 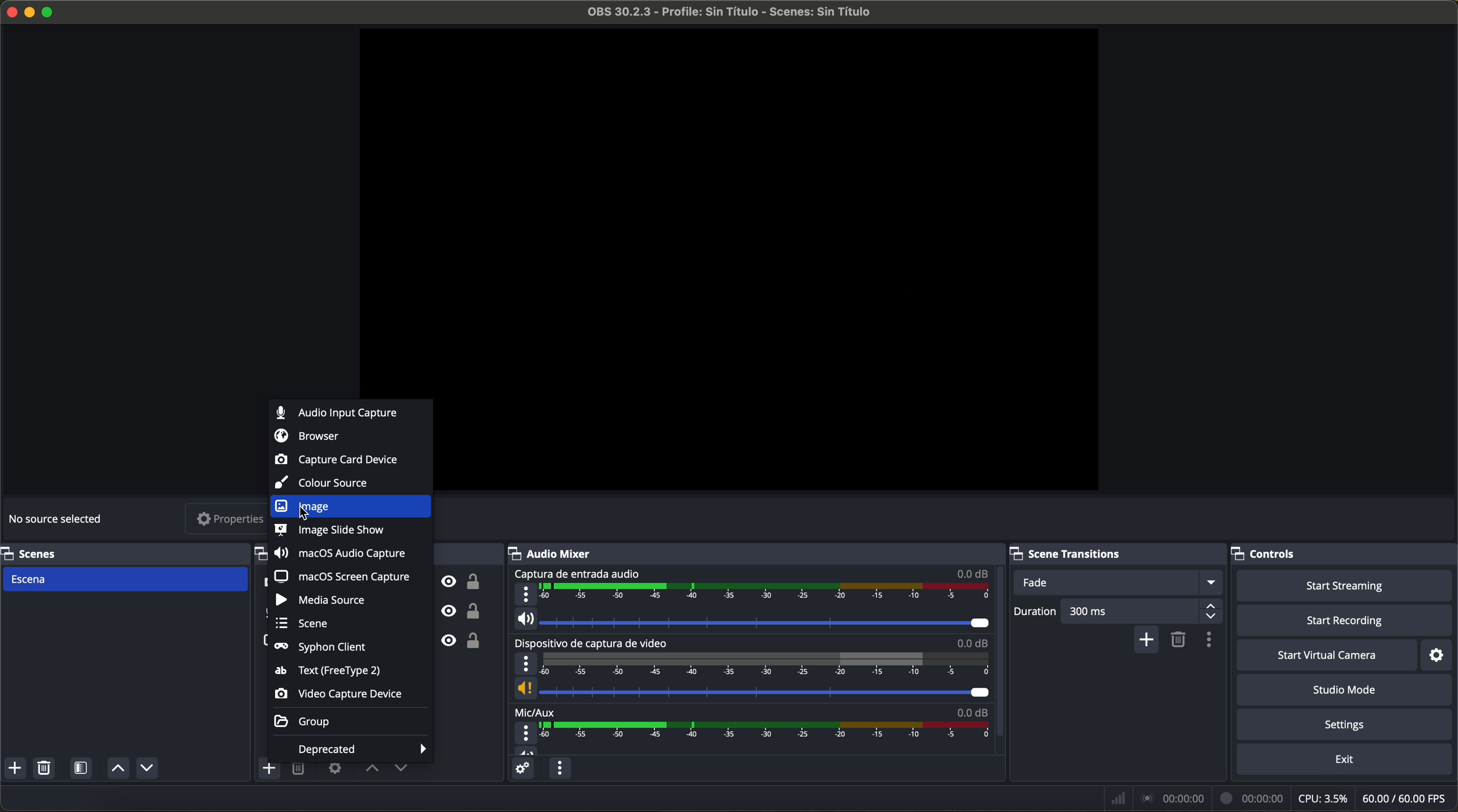 What do you see at coordinates (1079, 552) in the screenshot?
I see `scene transitions` at bounding box center [1079, 552].